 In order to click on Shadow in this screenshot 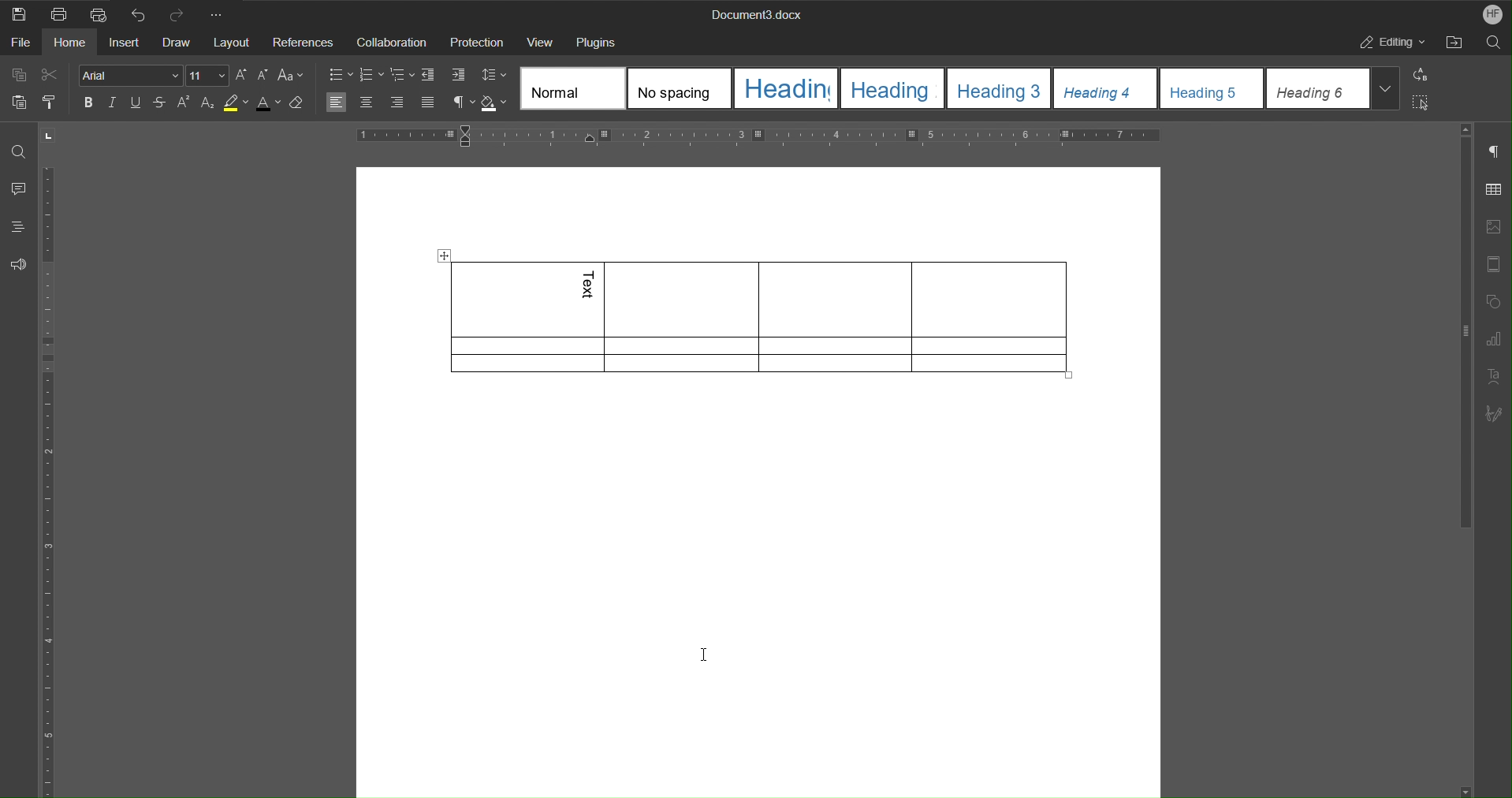, I will do `click(495, 103)`.